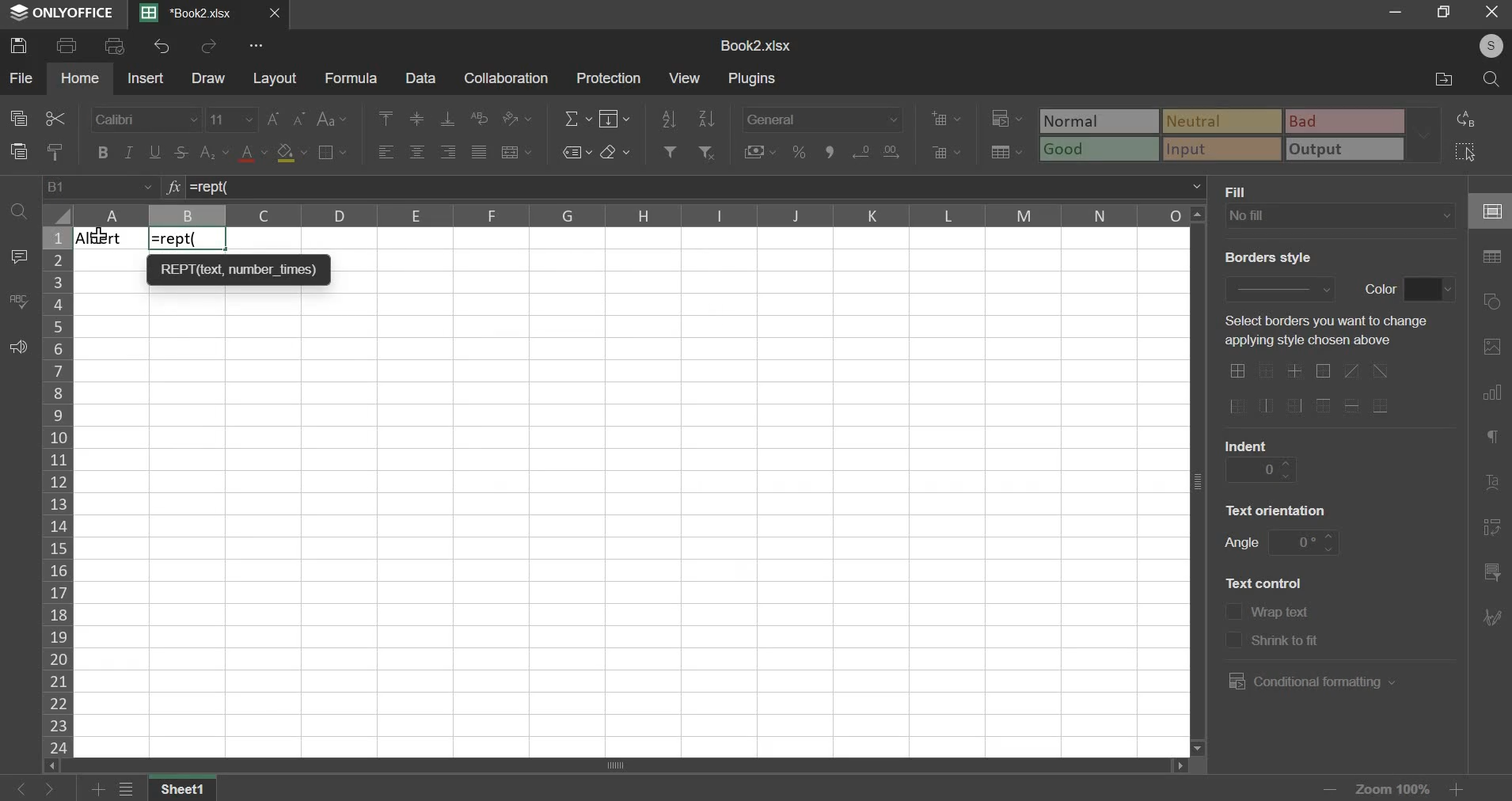  What do you see at coordinates (1492, 392) in the screenshot?
I see `chart settings` at bounding box center [1492, 392].